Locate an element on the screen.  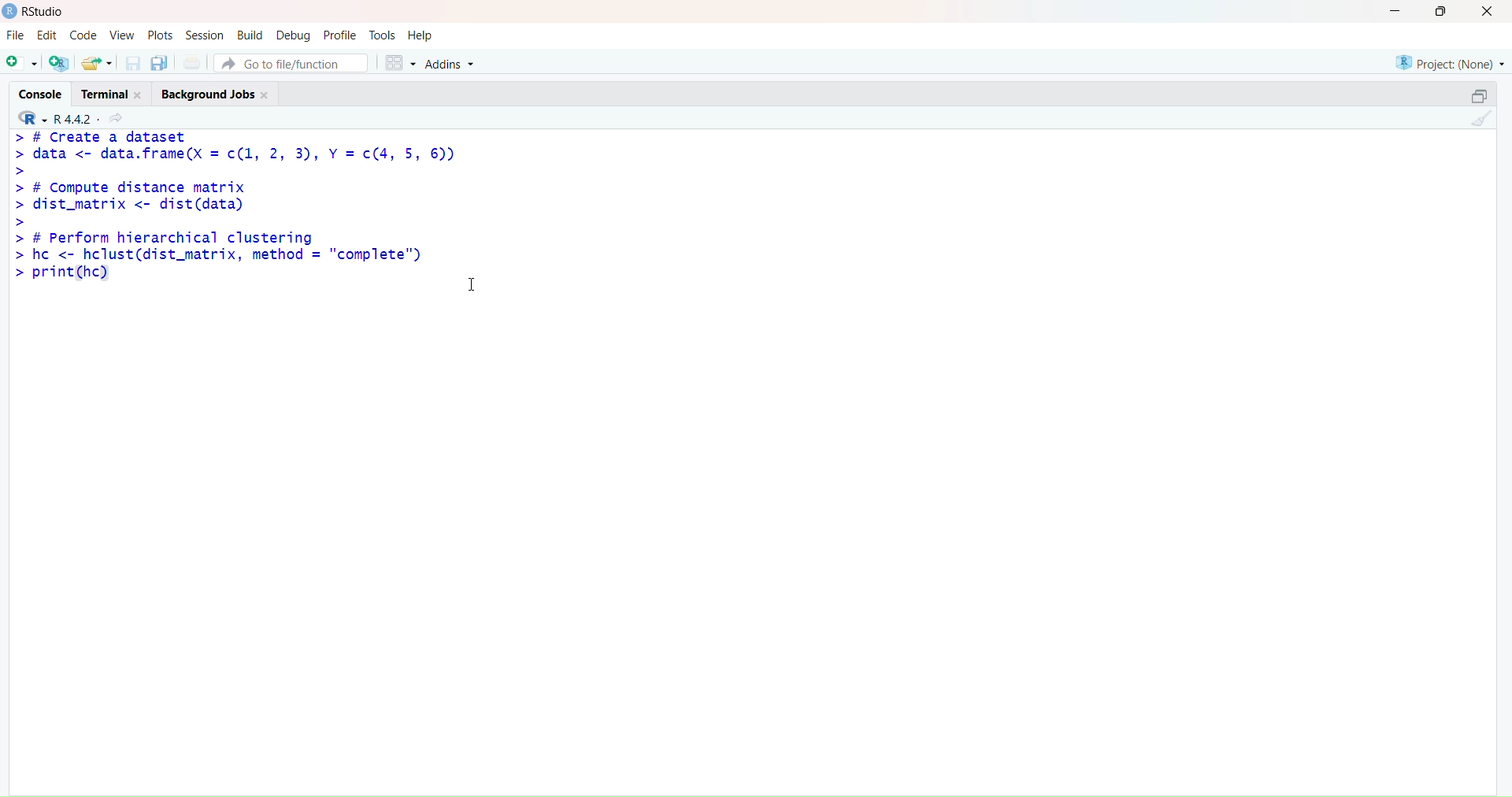
Terminal is located at coordinates (109, 94).